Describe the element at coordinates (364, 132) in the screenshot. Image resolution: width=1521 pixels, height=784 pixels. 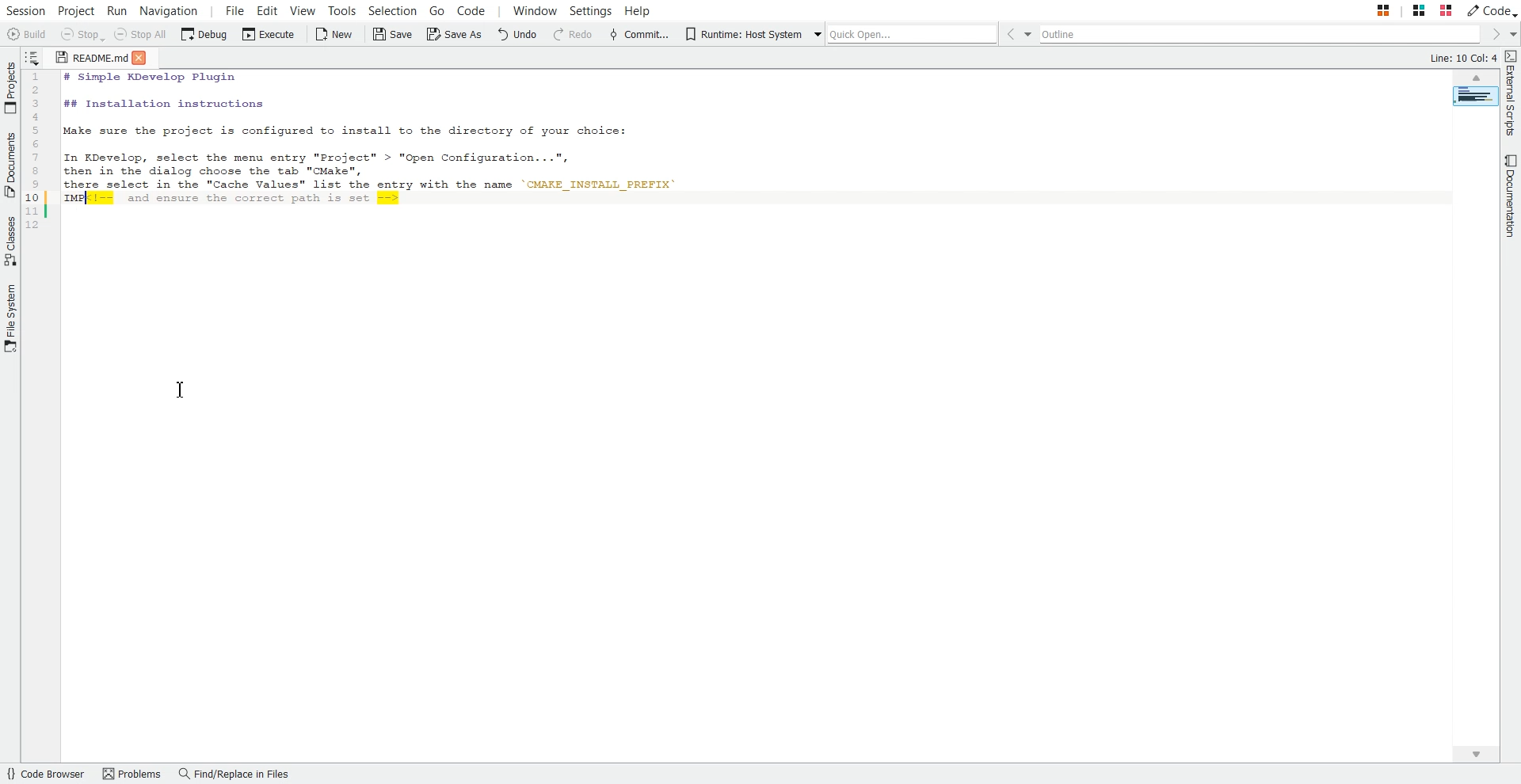
I see `Make sure the project is configured to install to the directory of your choice:` at that location.